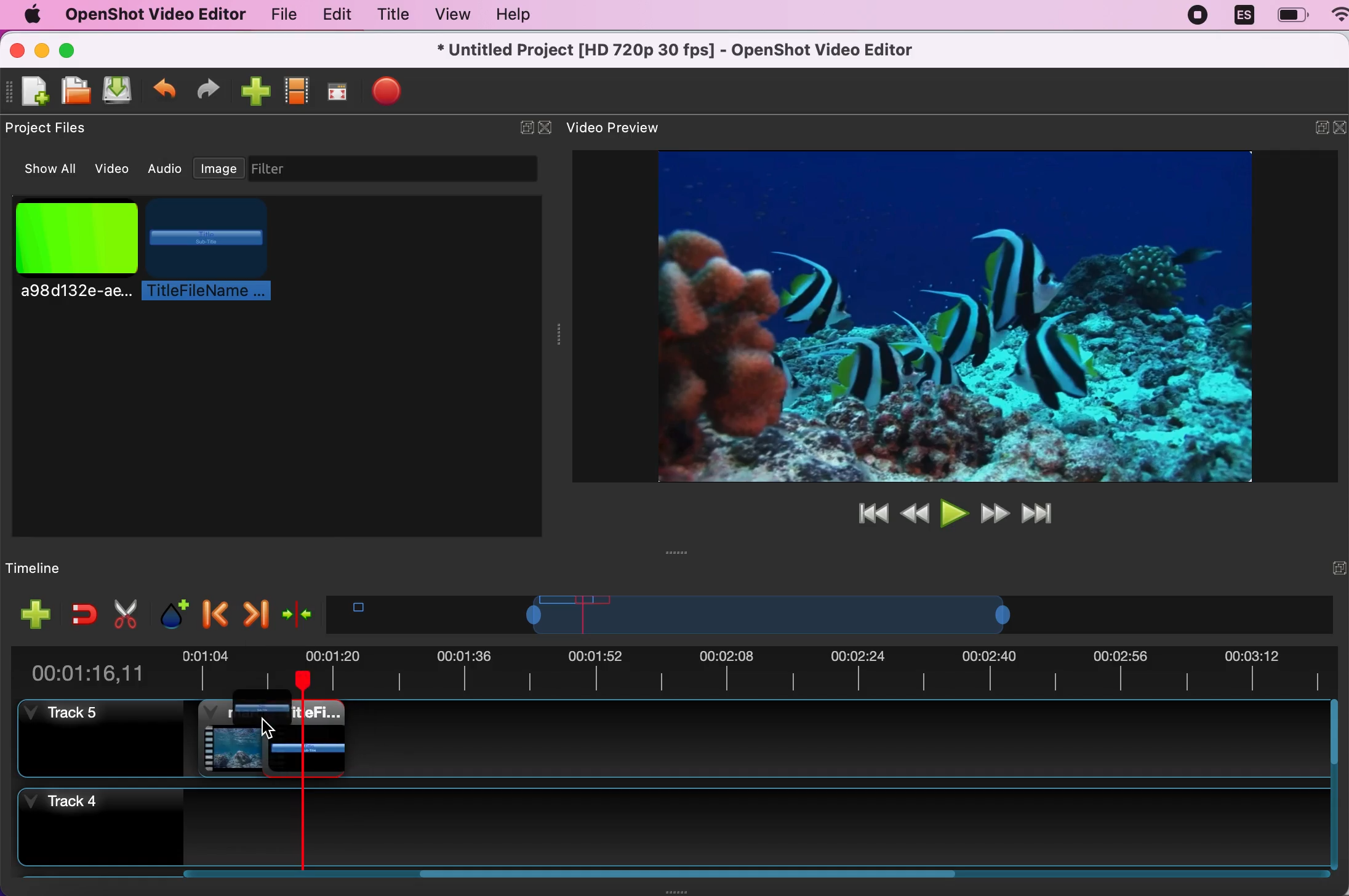 Image resolution: width=1349 pixels, height=896 pixels. I want to click on center the timeline, so click(297, 612).